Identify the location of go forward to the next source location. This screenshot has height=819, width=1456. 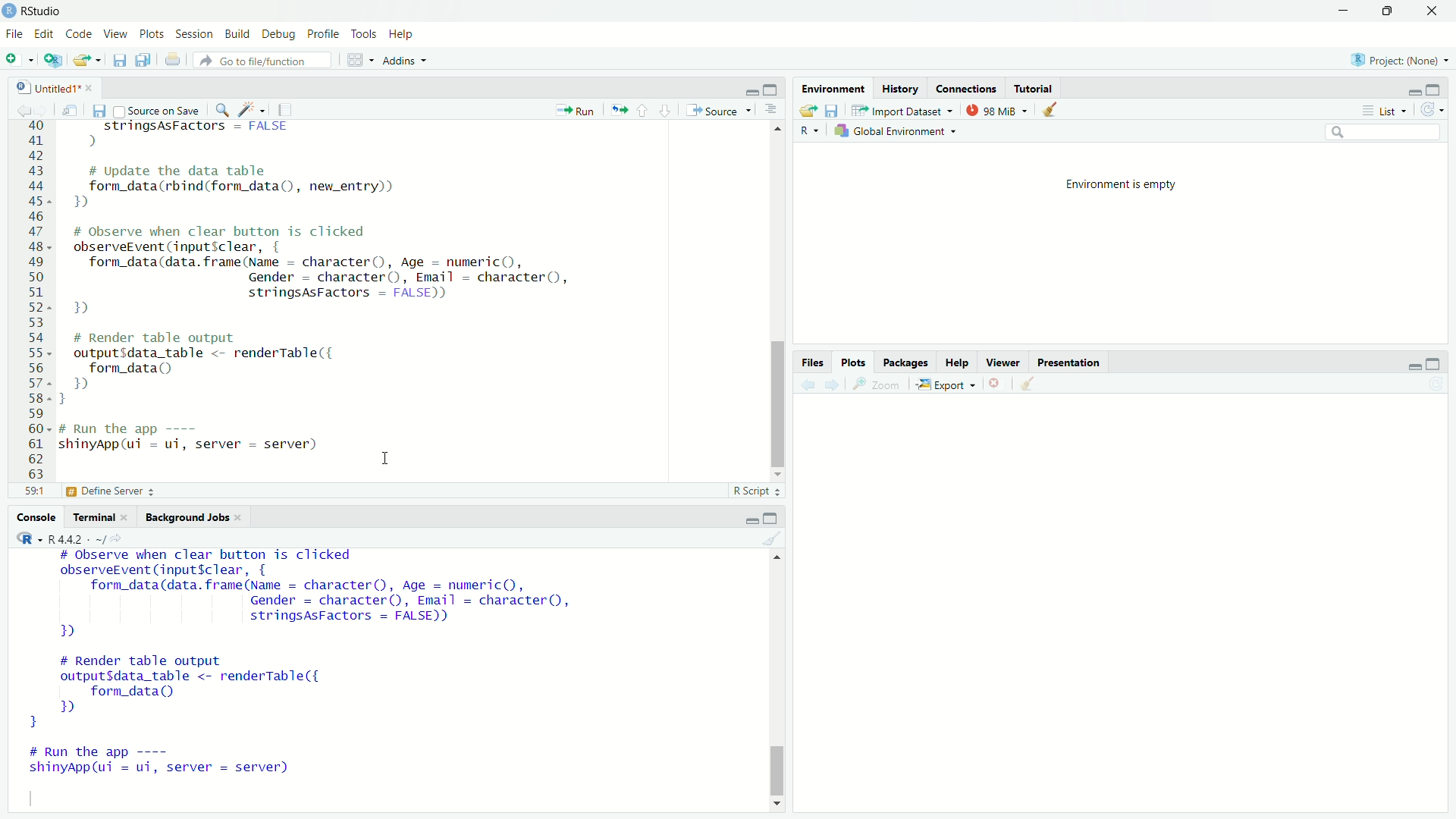
(44, 108).